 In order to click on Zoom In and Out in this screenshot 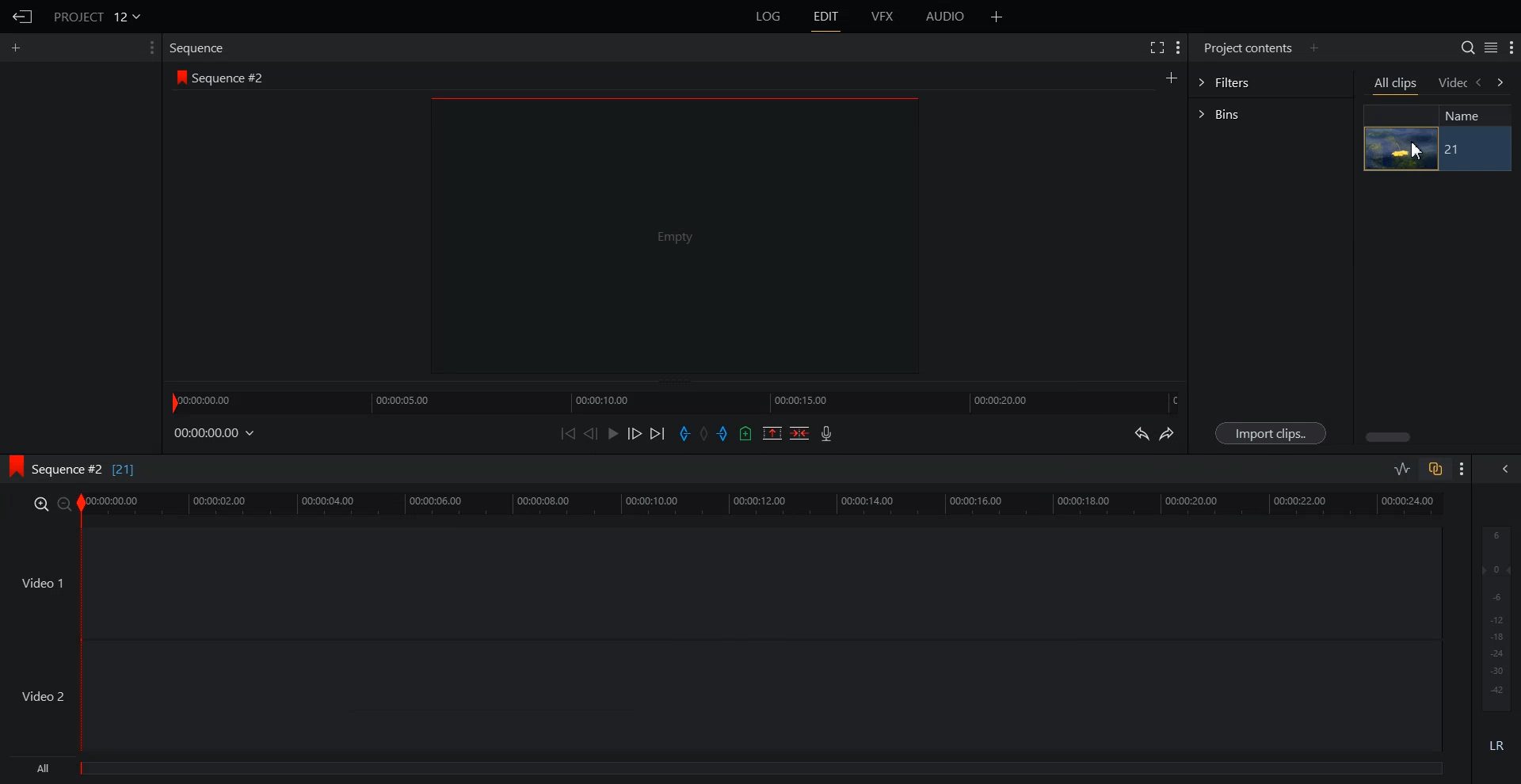, I will do `click(52, 504)`.